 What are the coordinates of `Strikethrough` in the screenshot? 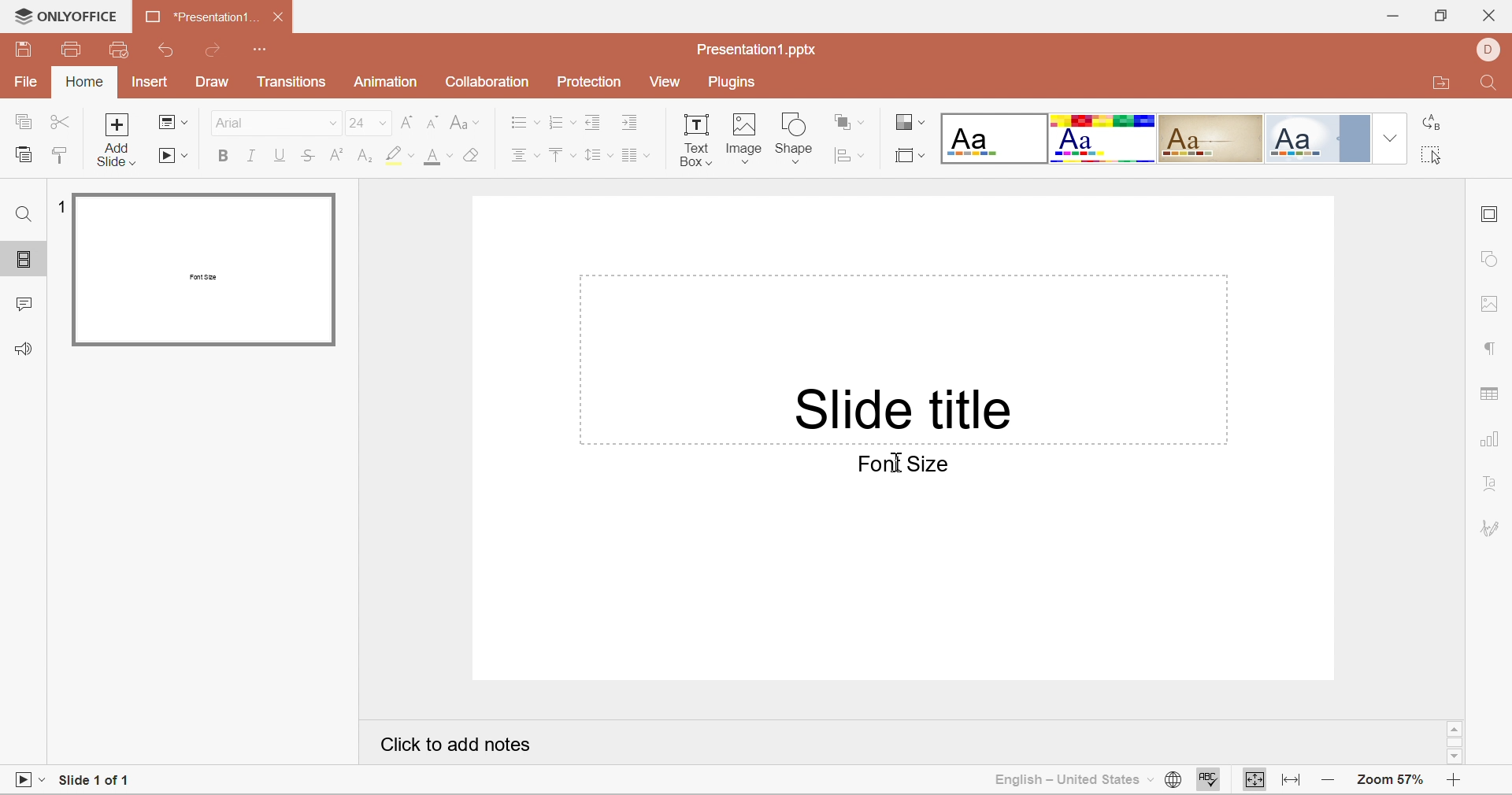 It's located at (309, 152).